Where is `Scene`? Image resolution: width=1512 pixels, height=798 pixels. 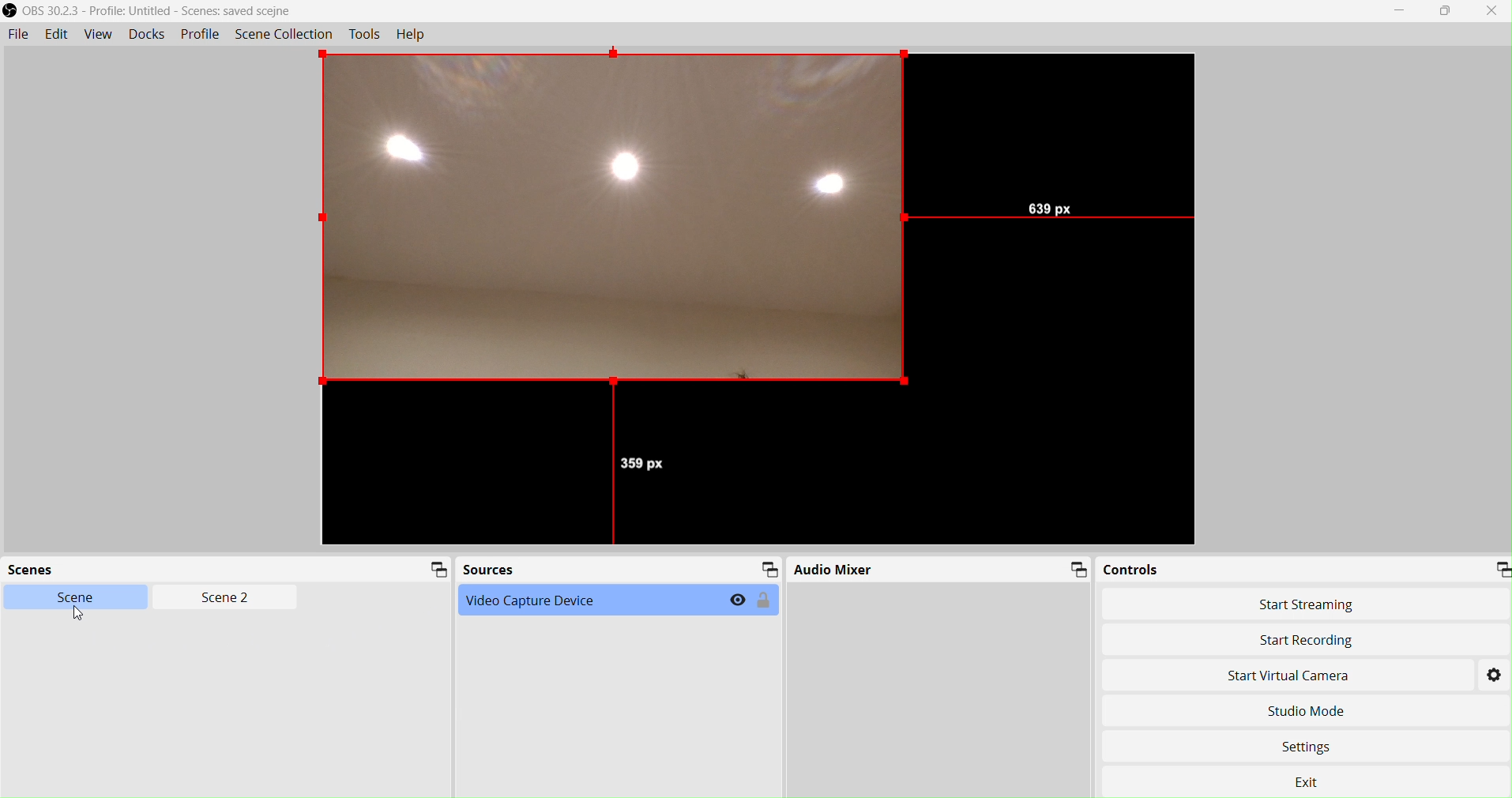 Scene is located at coordinates (85, 598).